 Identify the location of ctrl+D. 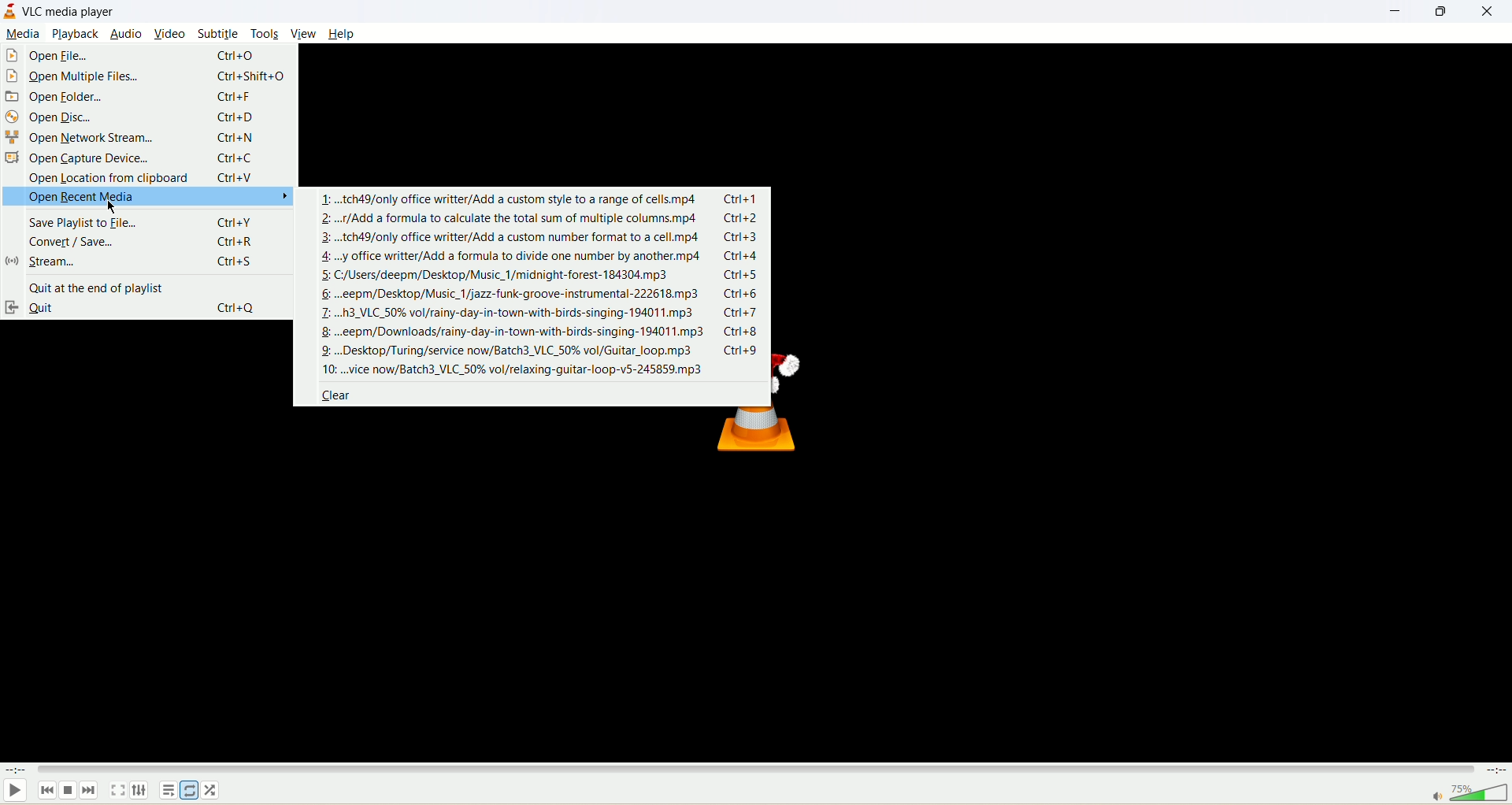
(236, 117).